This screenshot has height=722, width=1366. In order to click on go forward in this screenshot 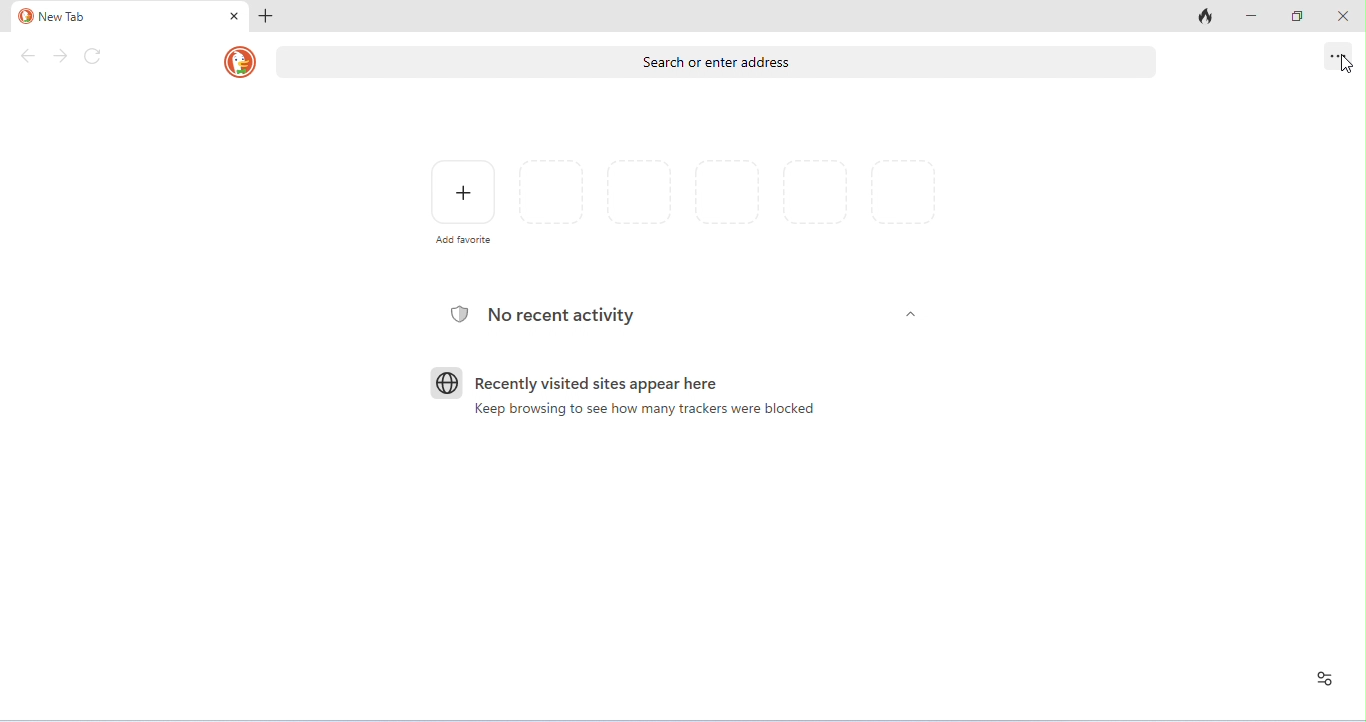, I will do `click(60, 56)`.